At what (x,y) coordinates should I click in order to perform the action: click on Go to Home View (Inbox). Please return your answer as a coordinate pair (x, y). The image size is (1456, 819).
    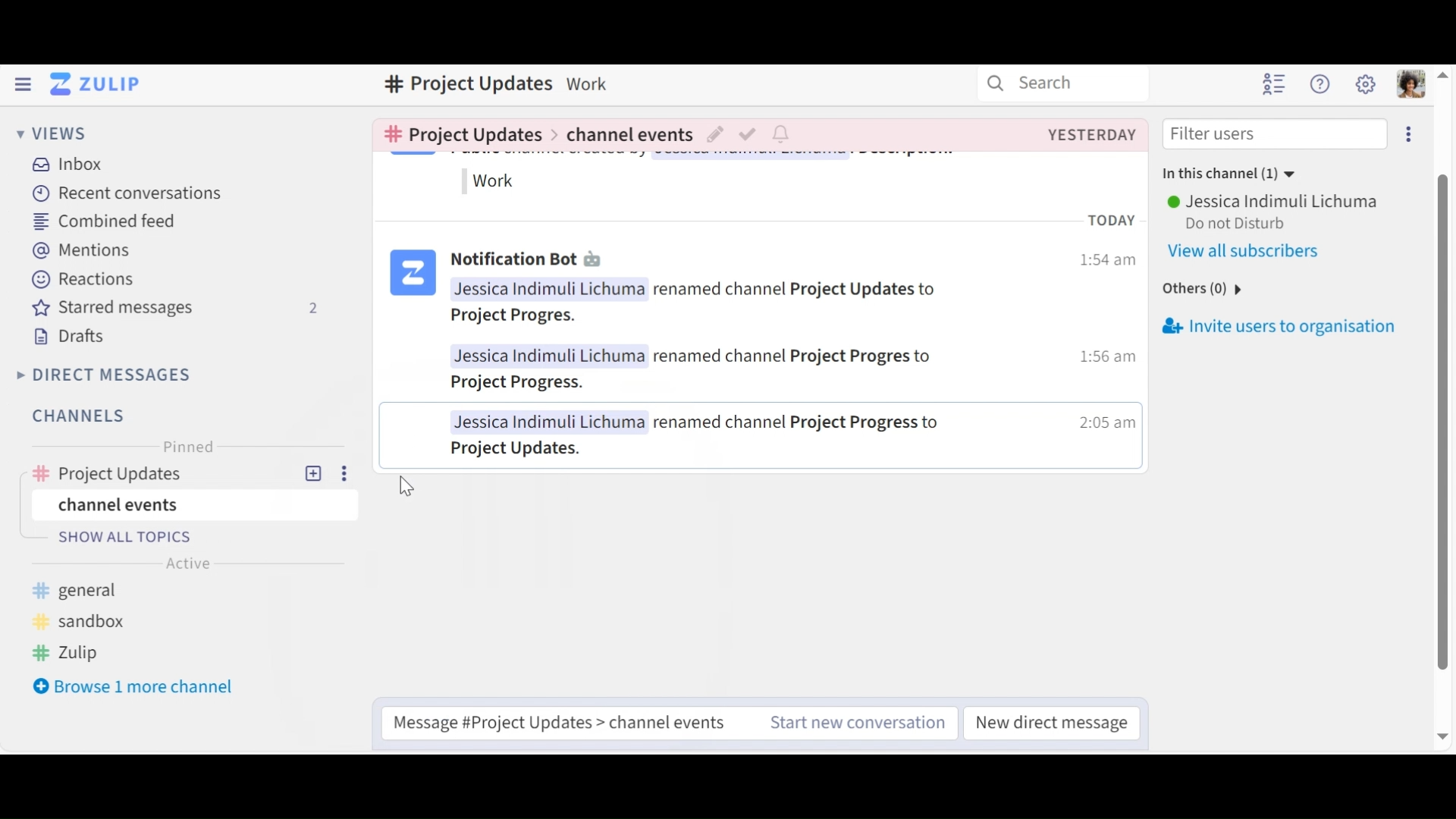
    Looking at the image, I should click on (96, 84).